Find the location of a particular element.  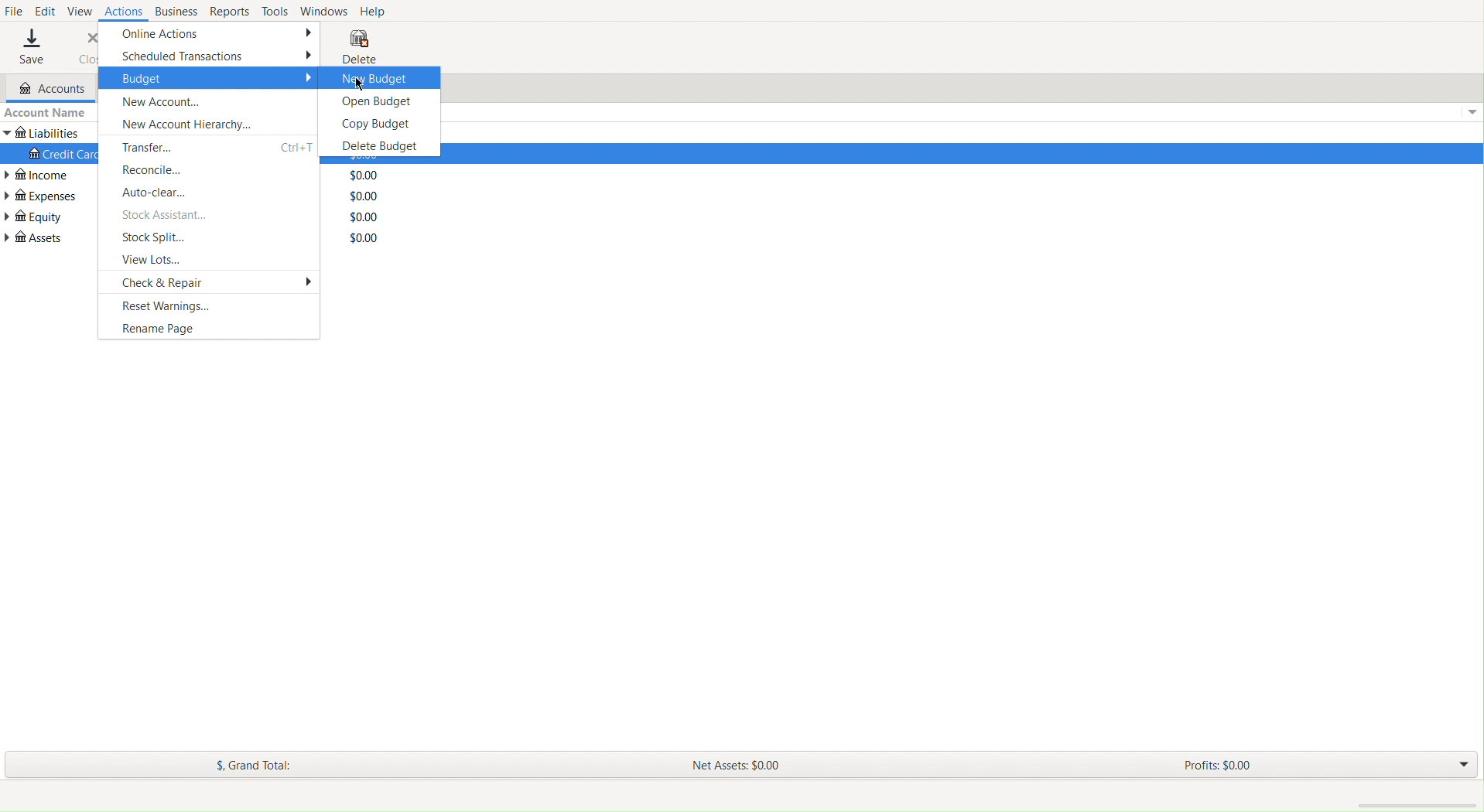

Cursor is located at coordinates (360, 83).